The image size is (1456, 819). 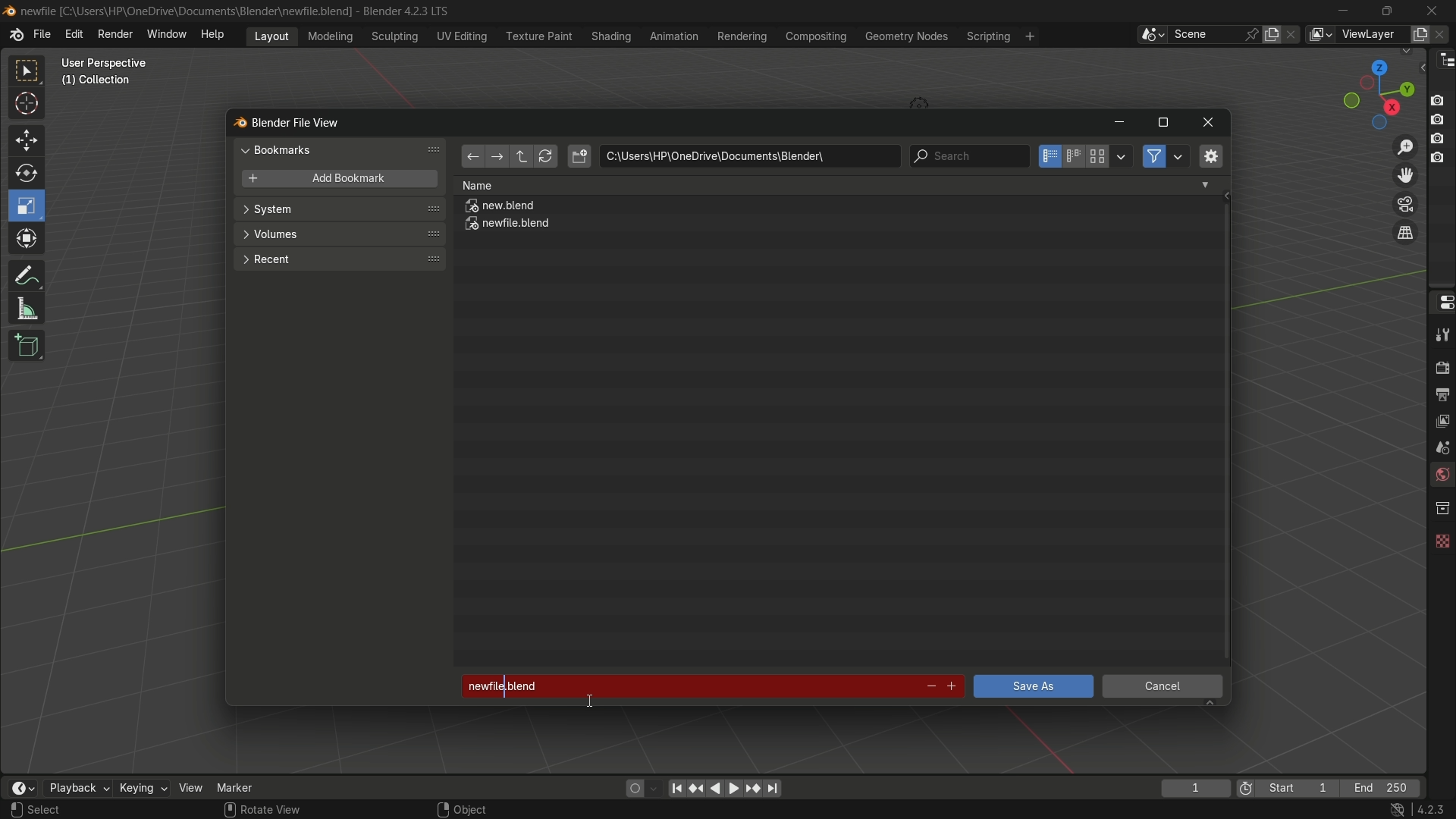 What do you see at coordinates (234, 124) in the screenshot?
I see `blend logo` at bounding box center [234, 124].